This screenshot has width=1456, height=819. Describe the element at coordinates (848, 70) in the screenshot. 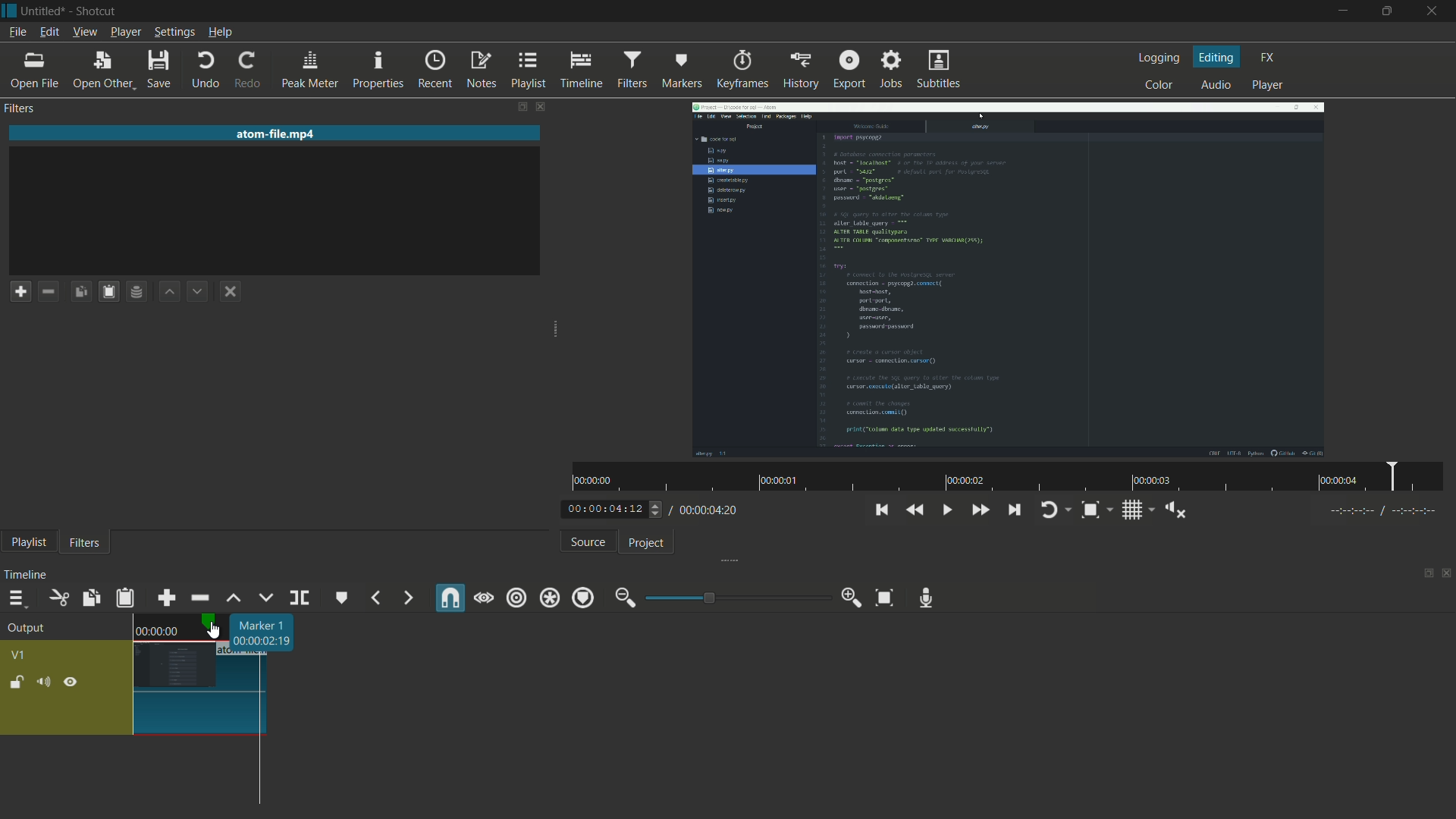

I see `export` at that location.